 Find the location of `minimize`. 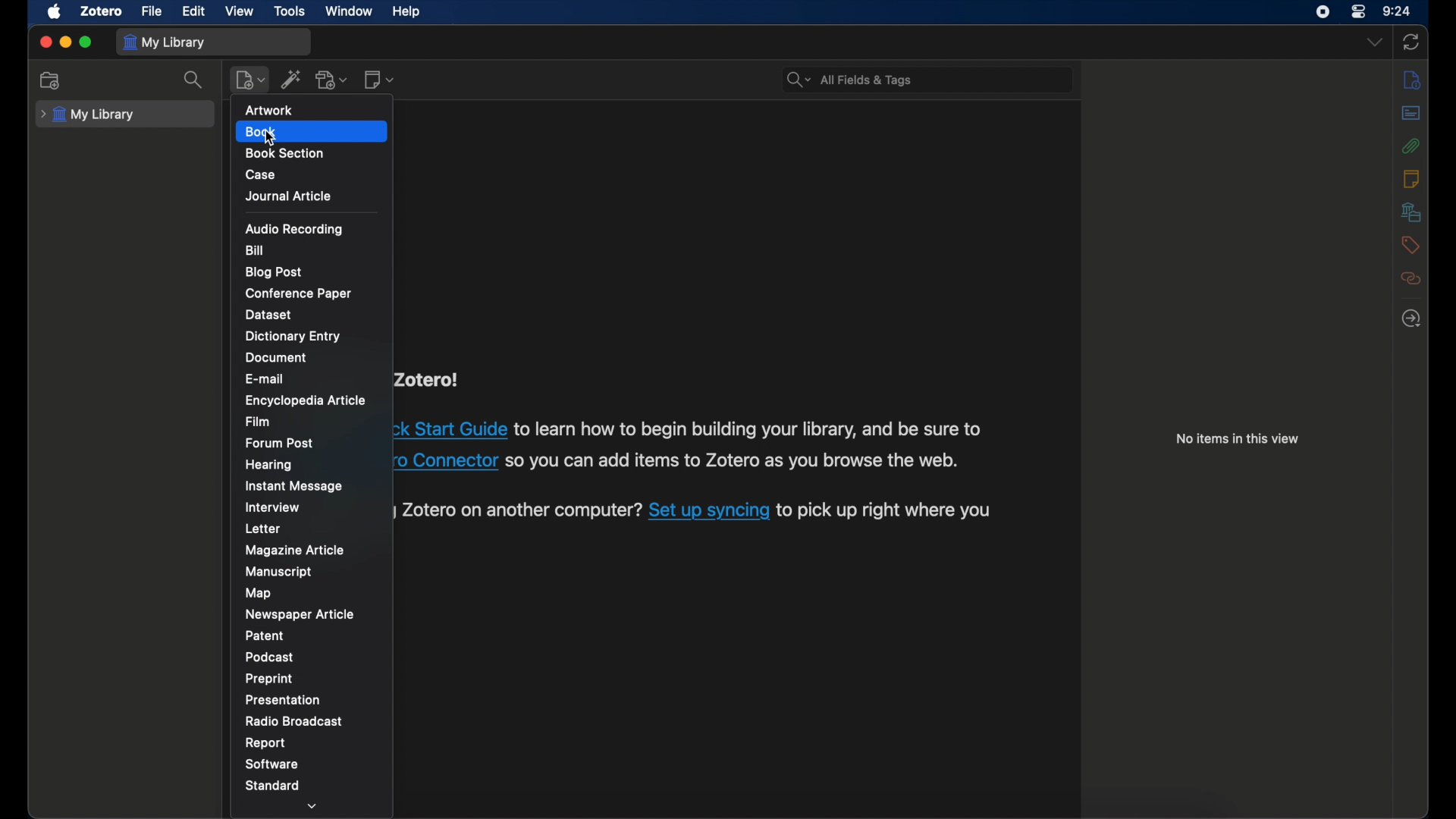

minimize is located at coordinates (64, 42).